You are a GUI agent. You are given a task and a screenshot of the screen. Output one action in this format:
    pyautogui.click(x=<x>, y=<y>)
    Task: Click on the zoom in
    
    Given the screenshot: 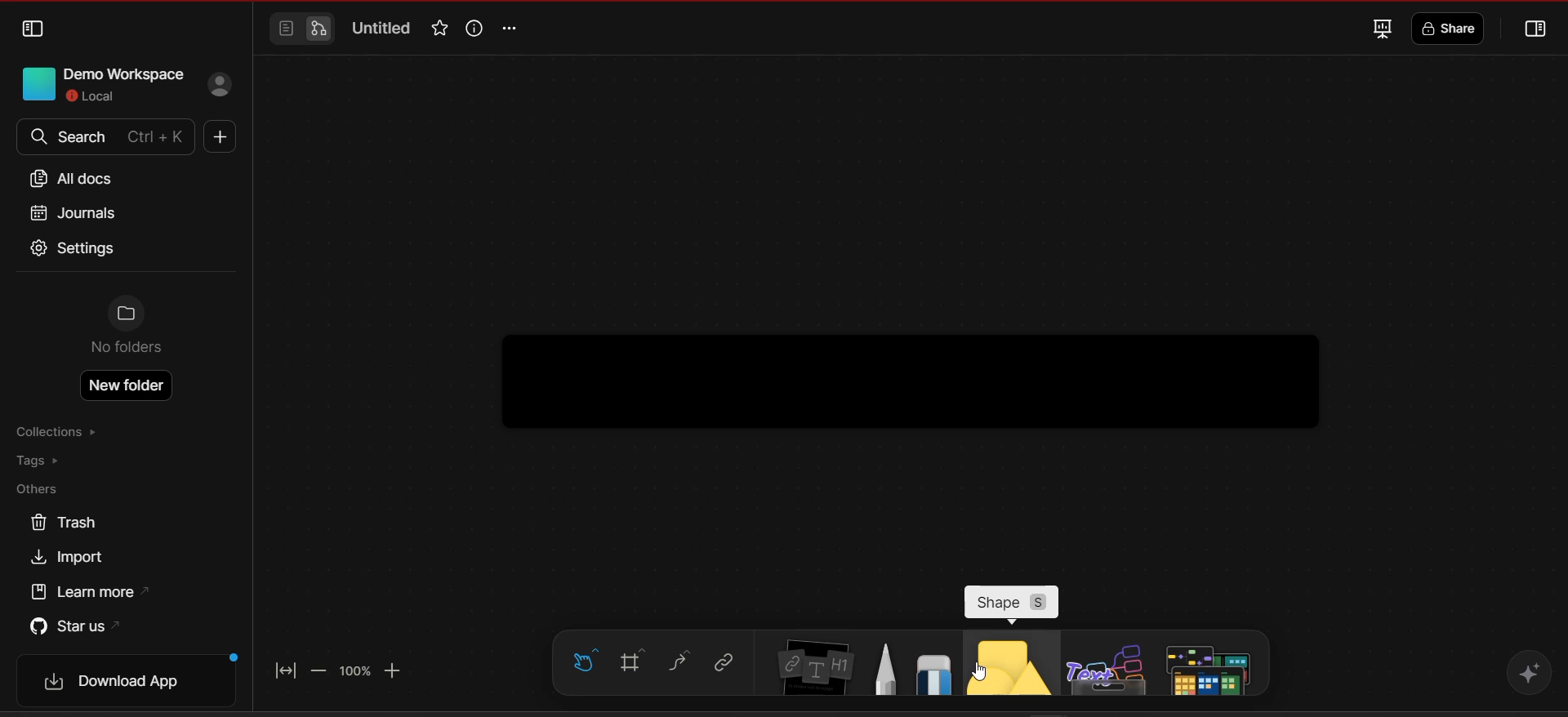 What is the action you would take?
    pyautogui.click(x=396, y=670)
    